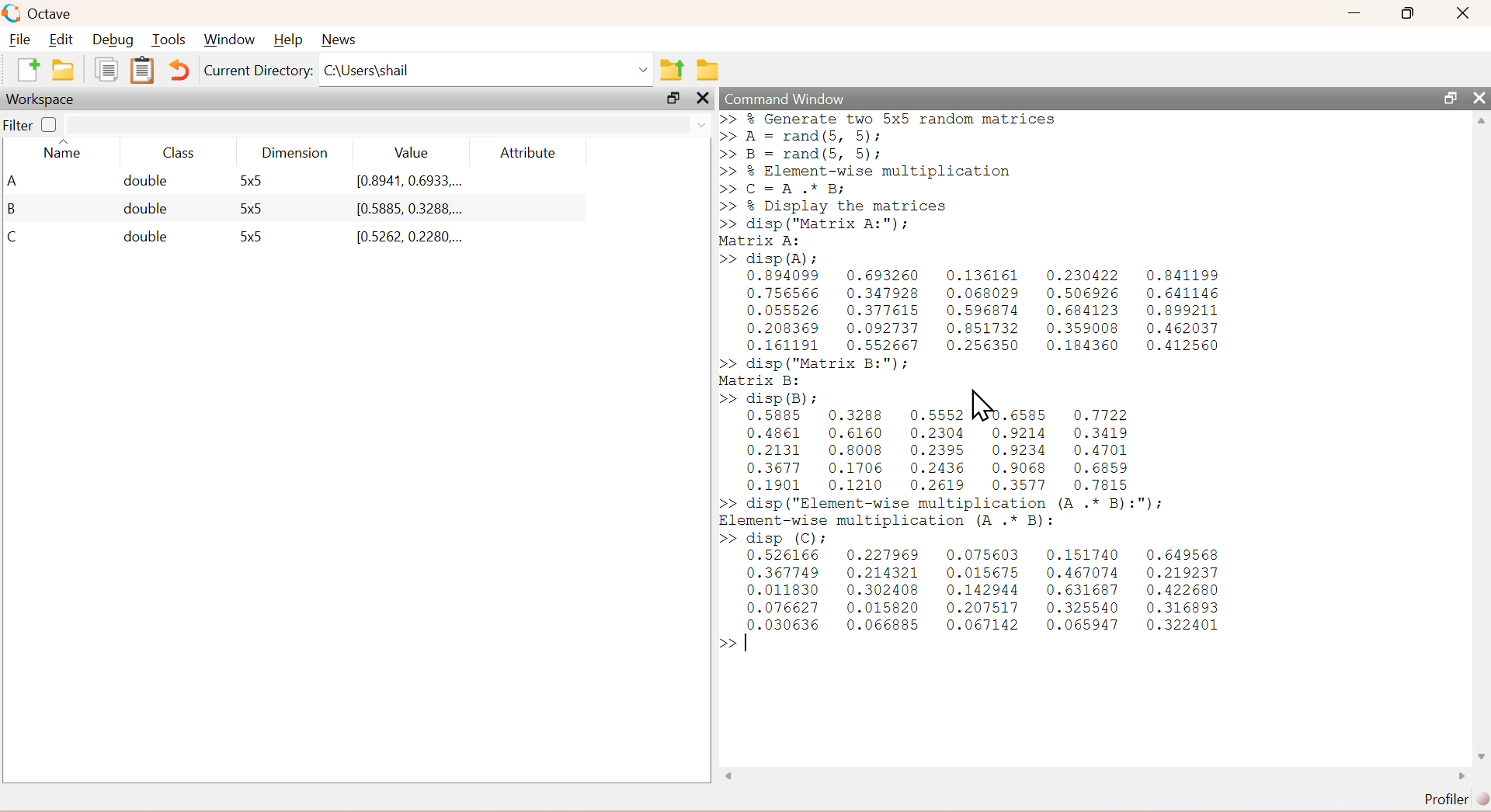 The height and width of the screenshot is (812, 1491). I want to click on Browse directories, so click(708, 68).